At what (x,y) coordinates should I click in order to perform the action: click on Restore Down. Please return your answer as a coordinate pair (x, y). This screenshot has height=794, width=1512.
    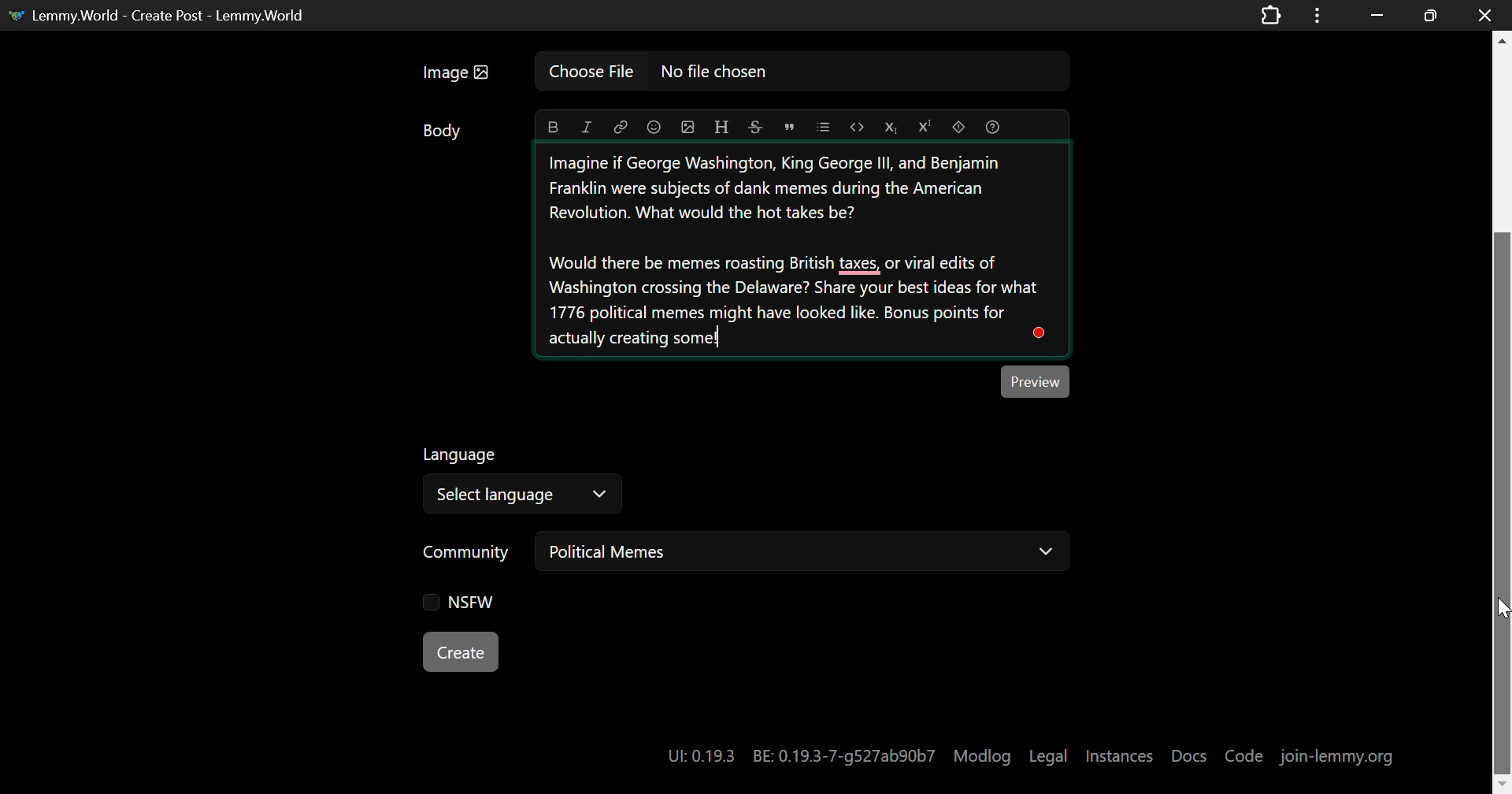
    Looking at the image, I should click on (1374, 15).